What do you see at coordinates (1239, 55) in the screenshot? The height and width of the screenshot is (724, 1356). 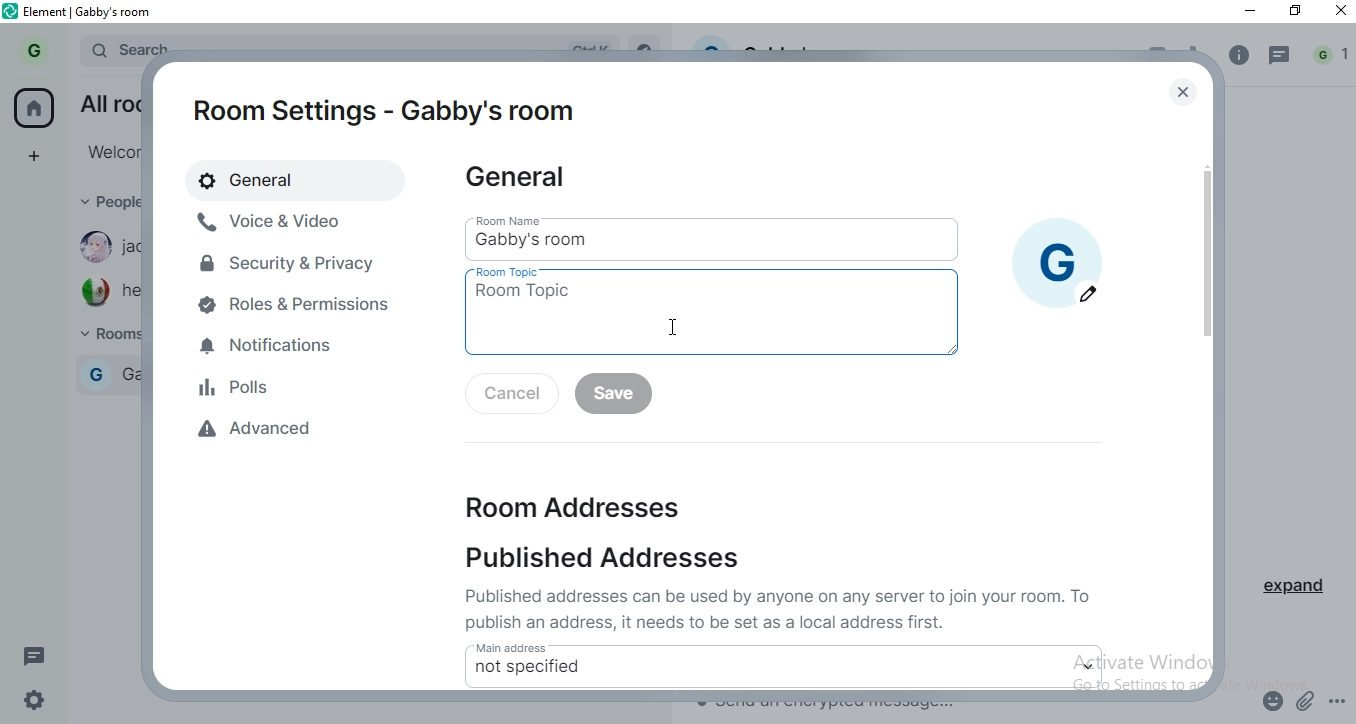 I see `info` at bounding box center [1239, 55].